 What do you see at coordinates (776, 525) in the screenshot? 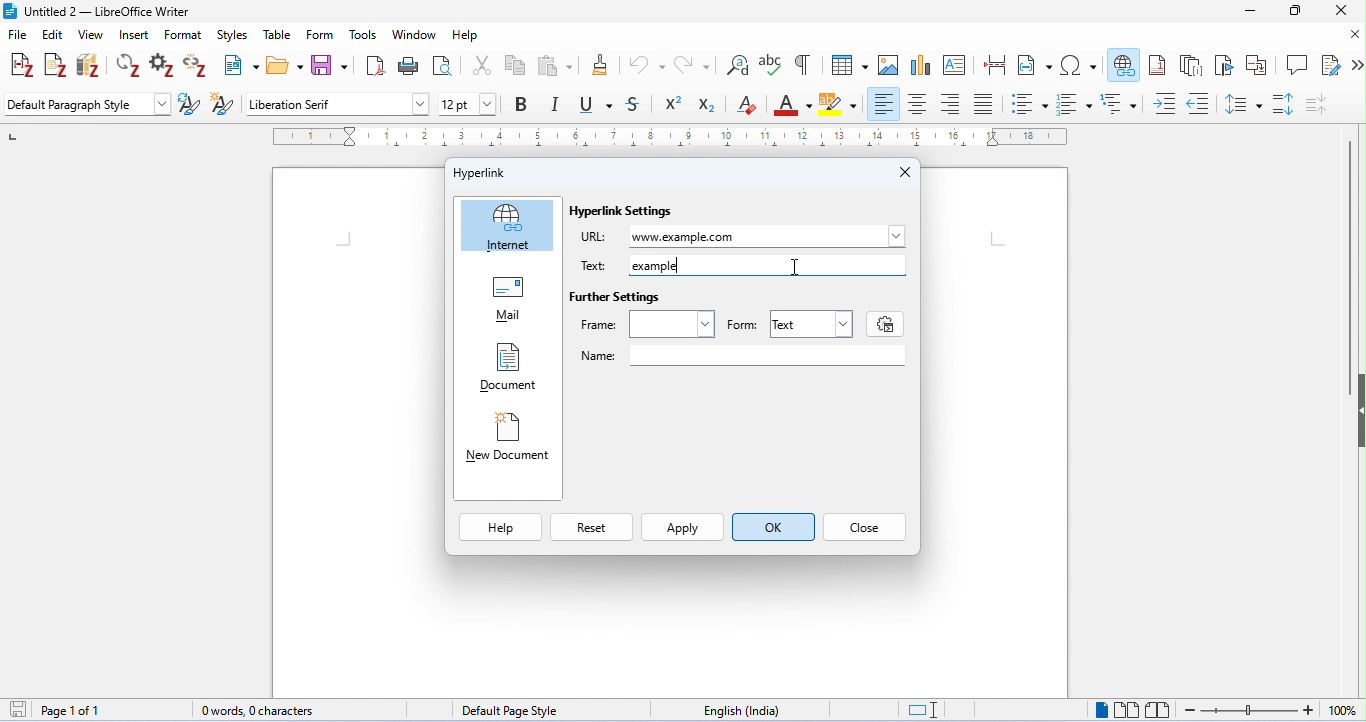
I see `ok` at bounding box center [776, 525].